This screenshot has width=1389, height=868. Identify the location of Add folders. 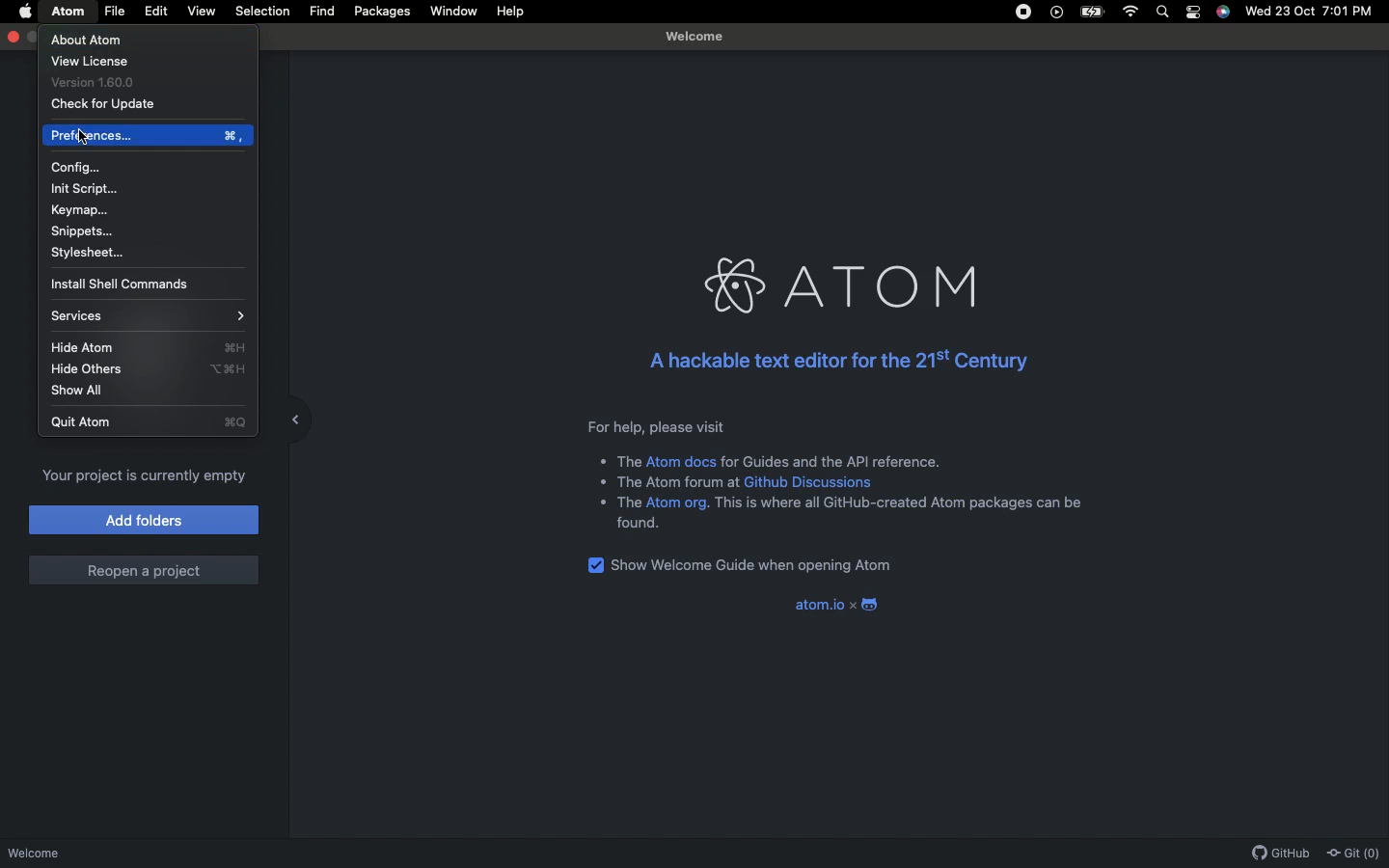
(146, 520).